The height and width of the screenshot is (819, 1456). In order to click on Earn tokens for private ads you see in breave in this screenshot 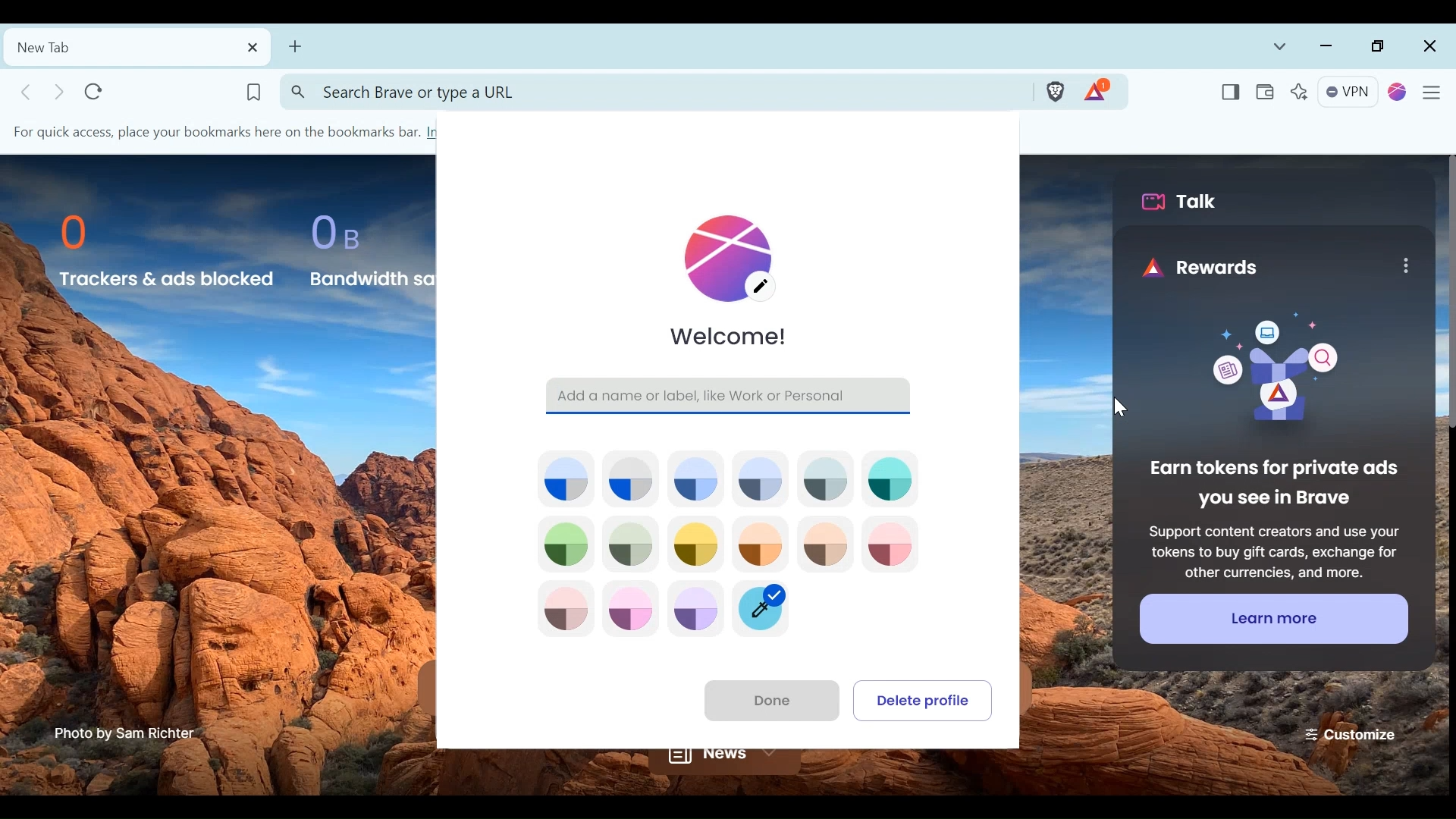, I will do `click(1272, 485)`.